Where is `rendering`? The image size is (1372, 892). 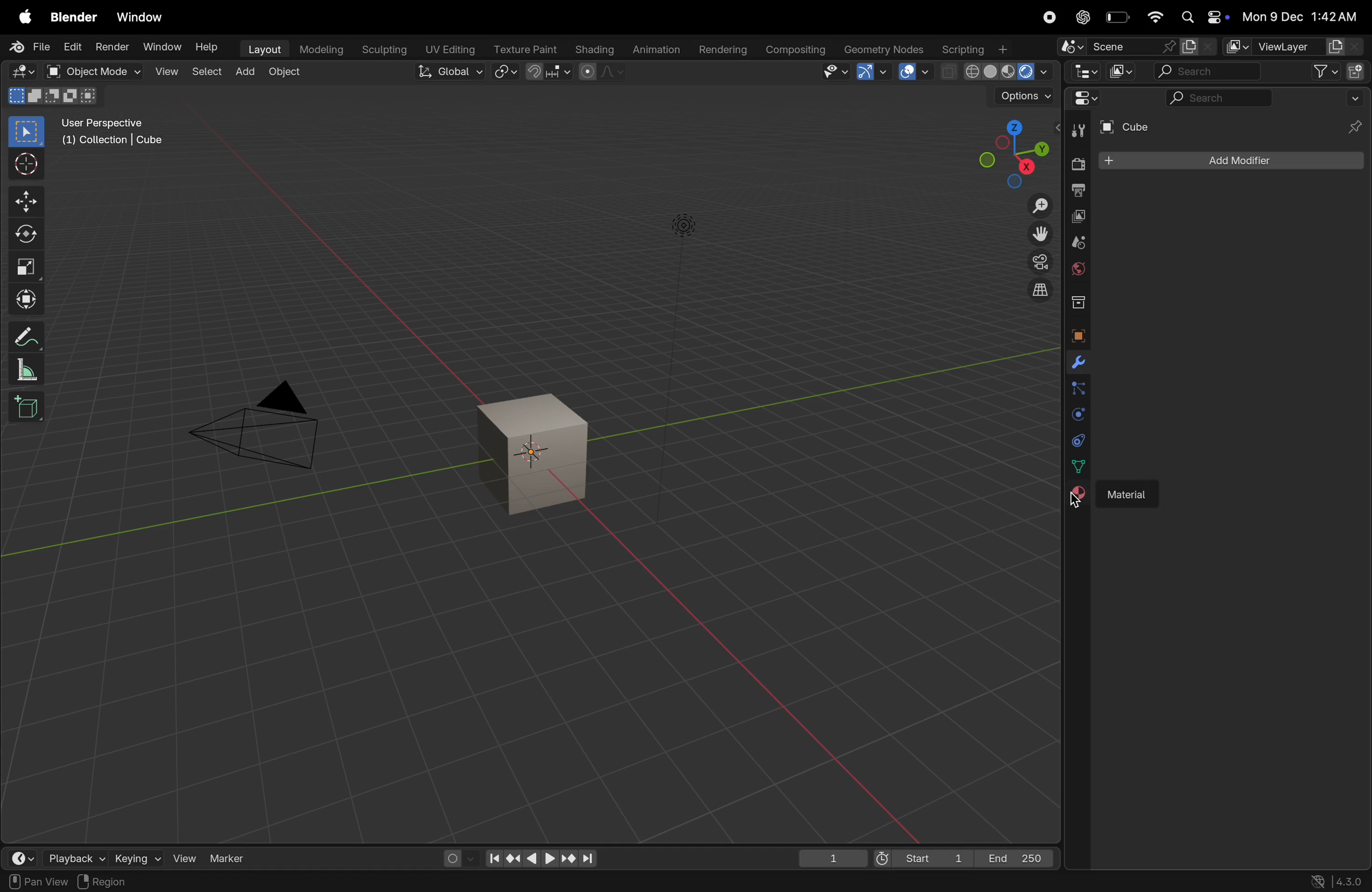
rendering is located at coordinates (723, 50).